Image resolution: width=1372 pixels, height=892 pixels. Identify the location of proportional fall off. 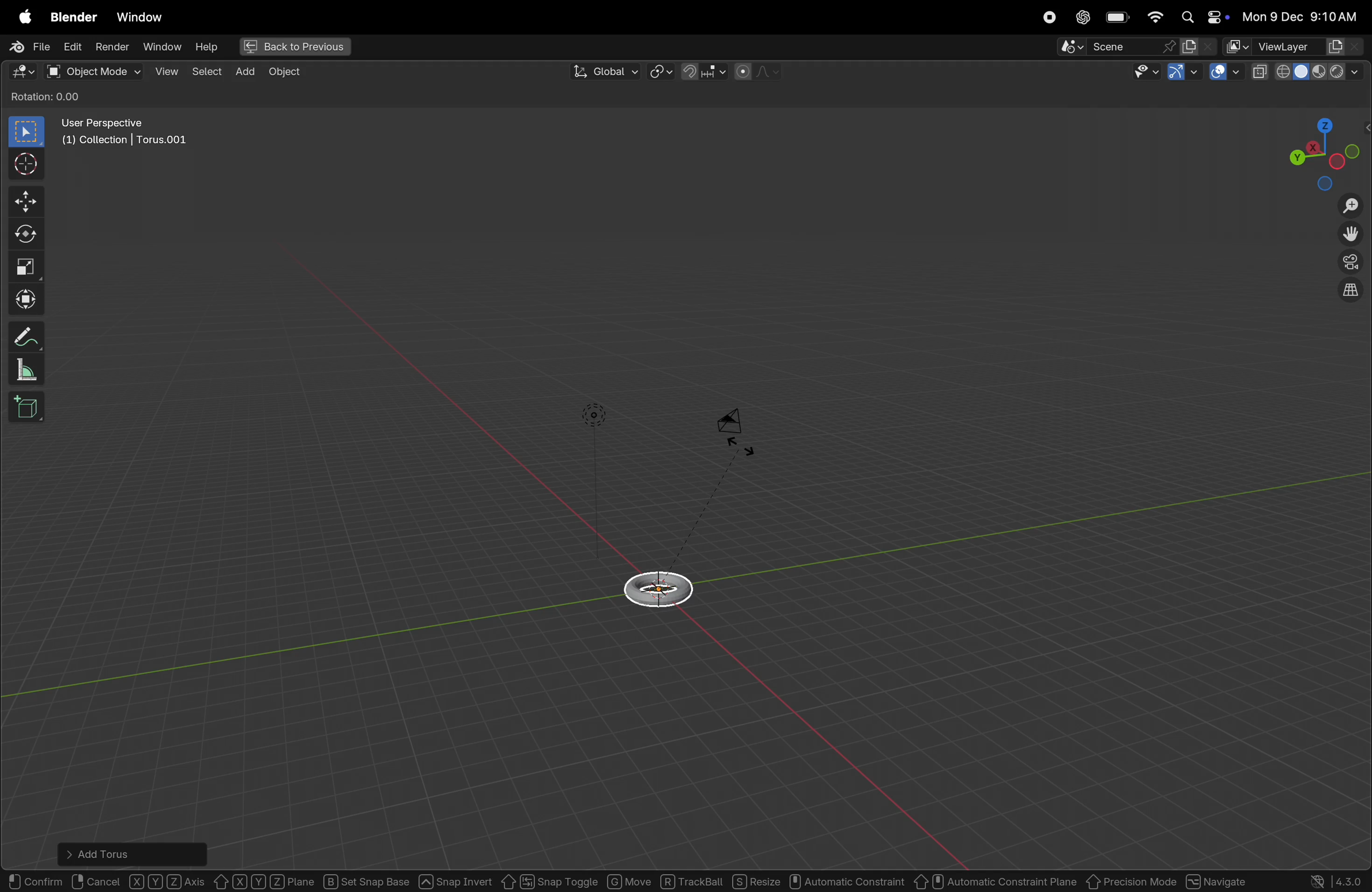
(756, 71).